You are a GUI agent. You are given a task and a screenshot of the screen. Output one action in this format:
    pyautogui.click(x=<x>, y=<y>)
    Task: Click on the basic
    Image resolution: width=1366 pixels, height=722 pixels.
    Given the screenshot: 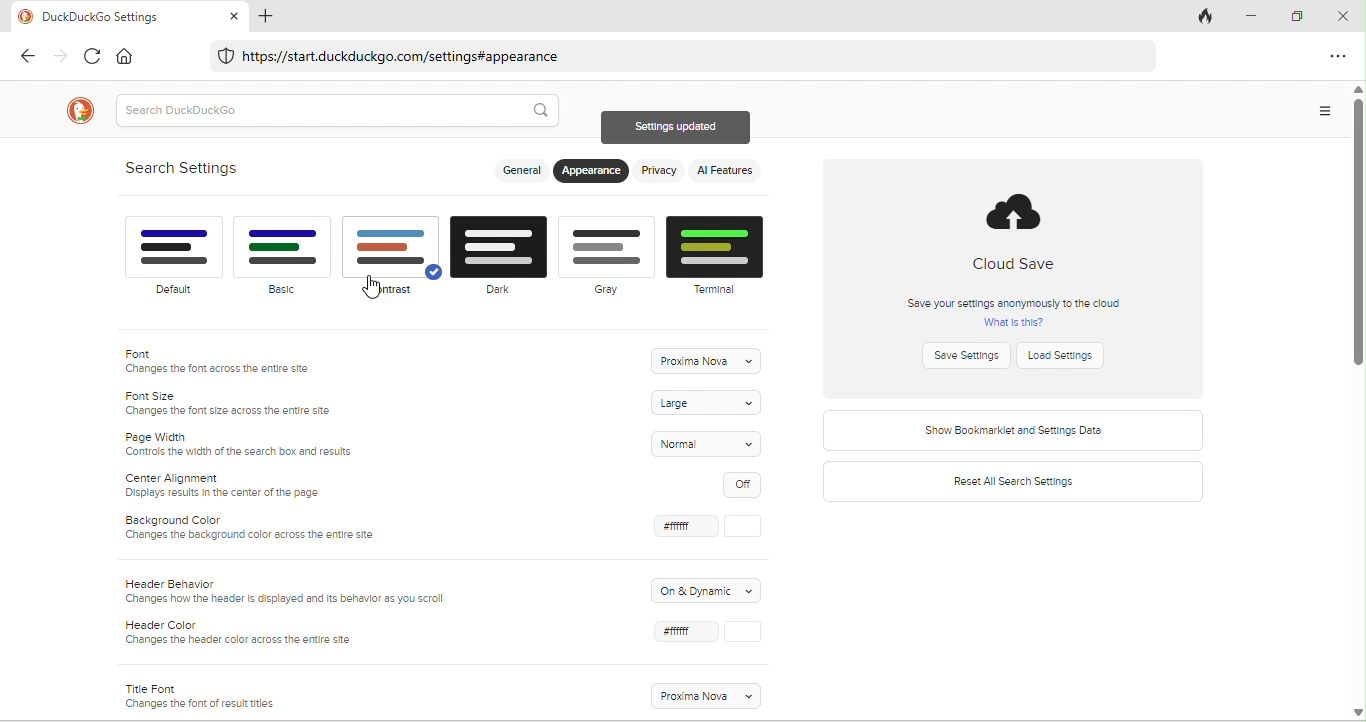 What is the action you would take?
    pyautogui.click(x=284, y=256)
    